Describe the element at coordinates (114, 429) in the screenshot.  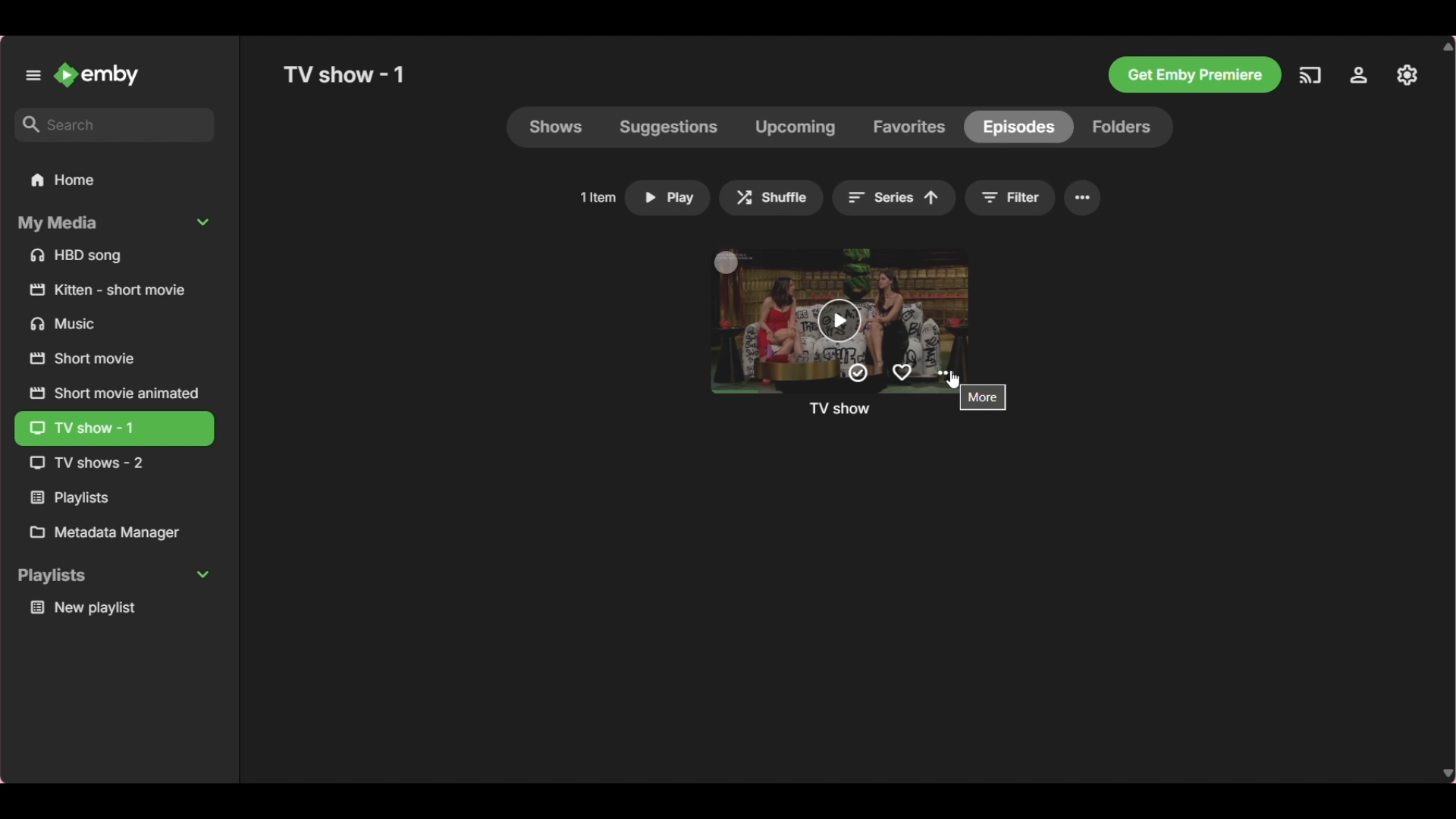
I see `TV show - 1, Current folder highlighted` at that location.